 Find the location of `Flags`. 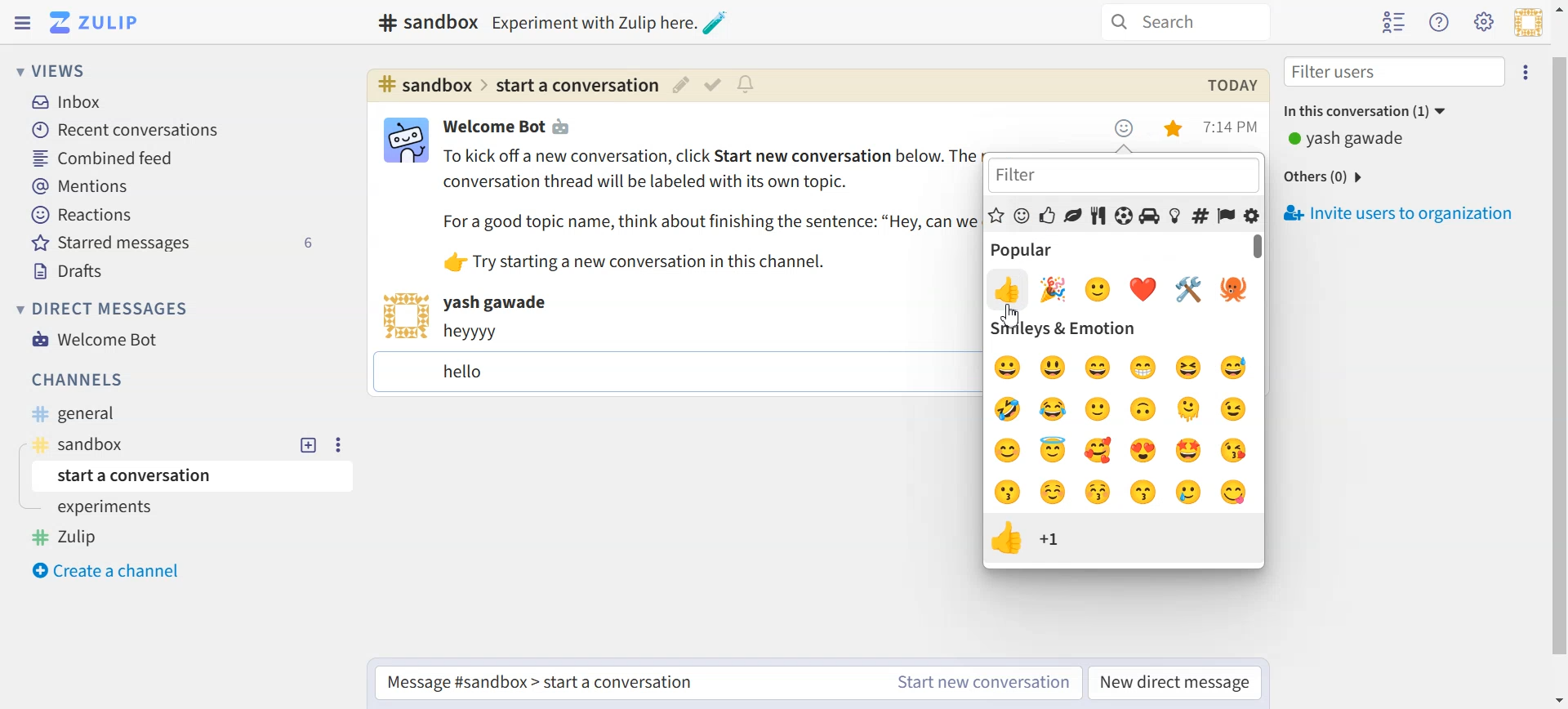

Flags is located at coordinates (1227, 216).